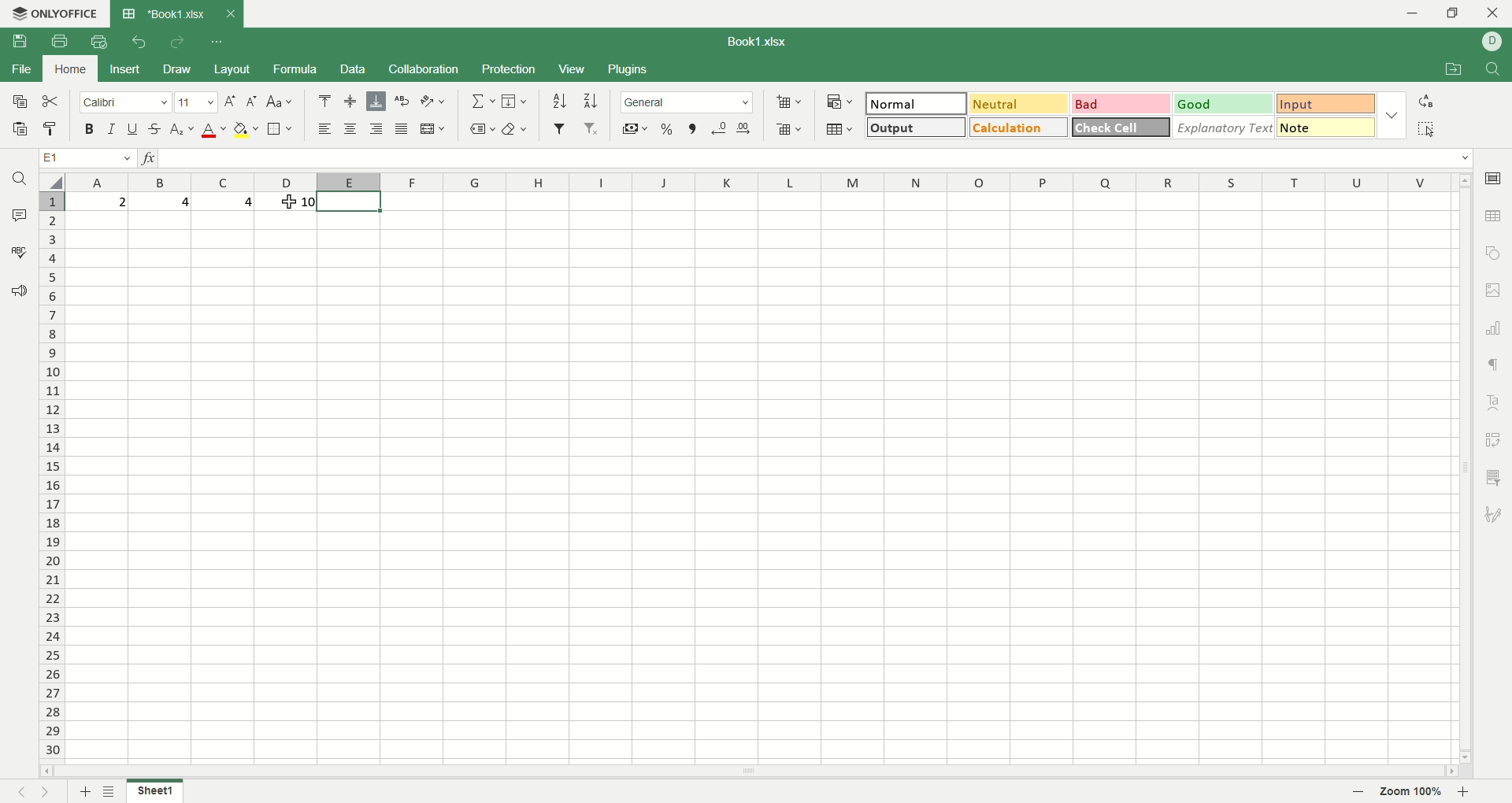  Describe the element at coordinates (1491, 13) in the screenshot. I see `close` at that location.